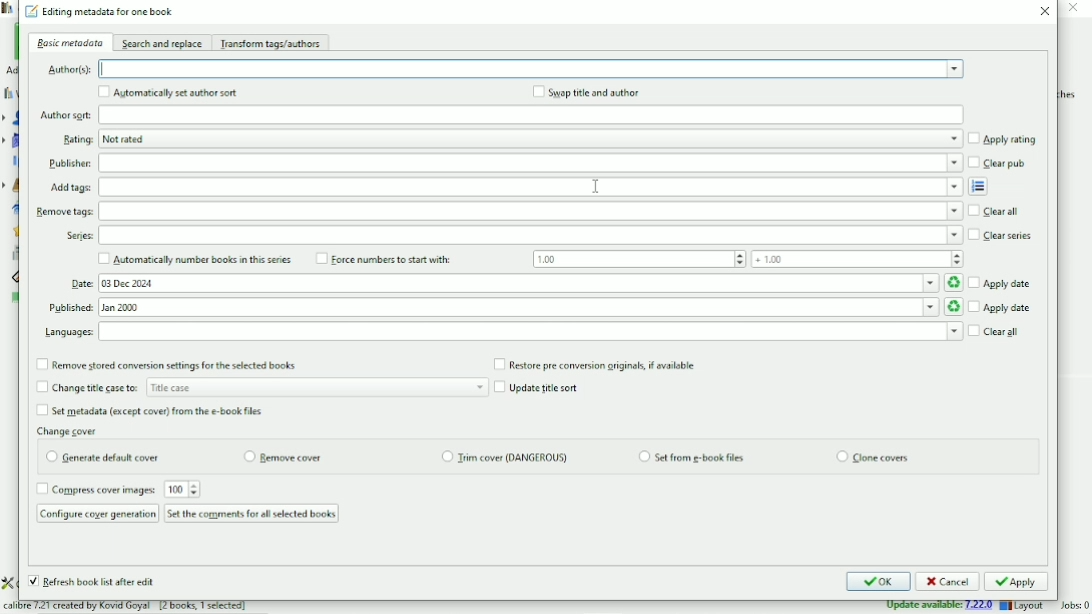 The height and width of the screenshot is (614, 1092). Describe the element at coordinates (586, 92) in the screenshot. I see `Swap title and author` at that location.